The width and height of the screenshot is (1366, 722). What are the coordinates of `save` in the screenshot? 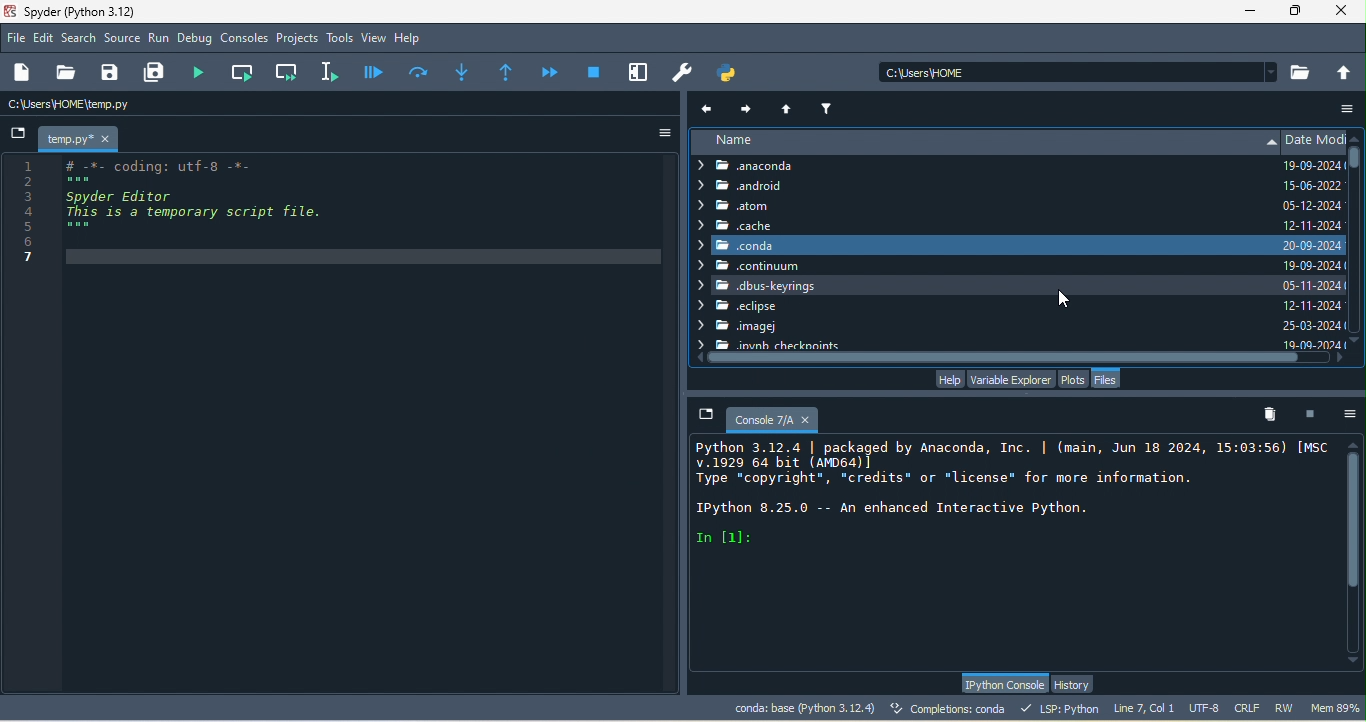 It's located at (111, 73).